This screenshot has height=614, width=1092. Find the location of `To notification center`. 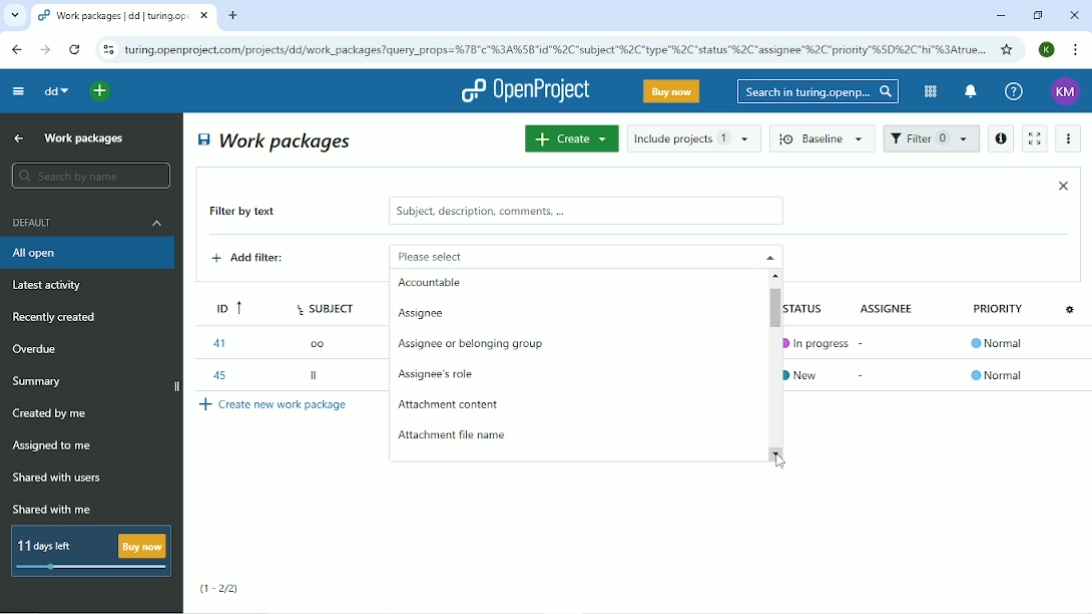

To notification center is located at coordinates (969, 93).